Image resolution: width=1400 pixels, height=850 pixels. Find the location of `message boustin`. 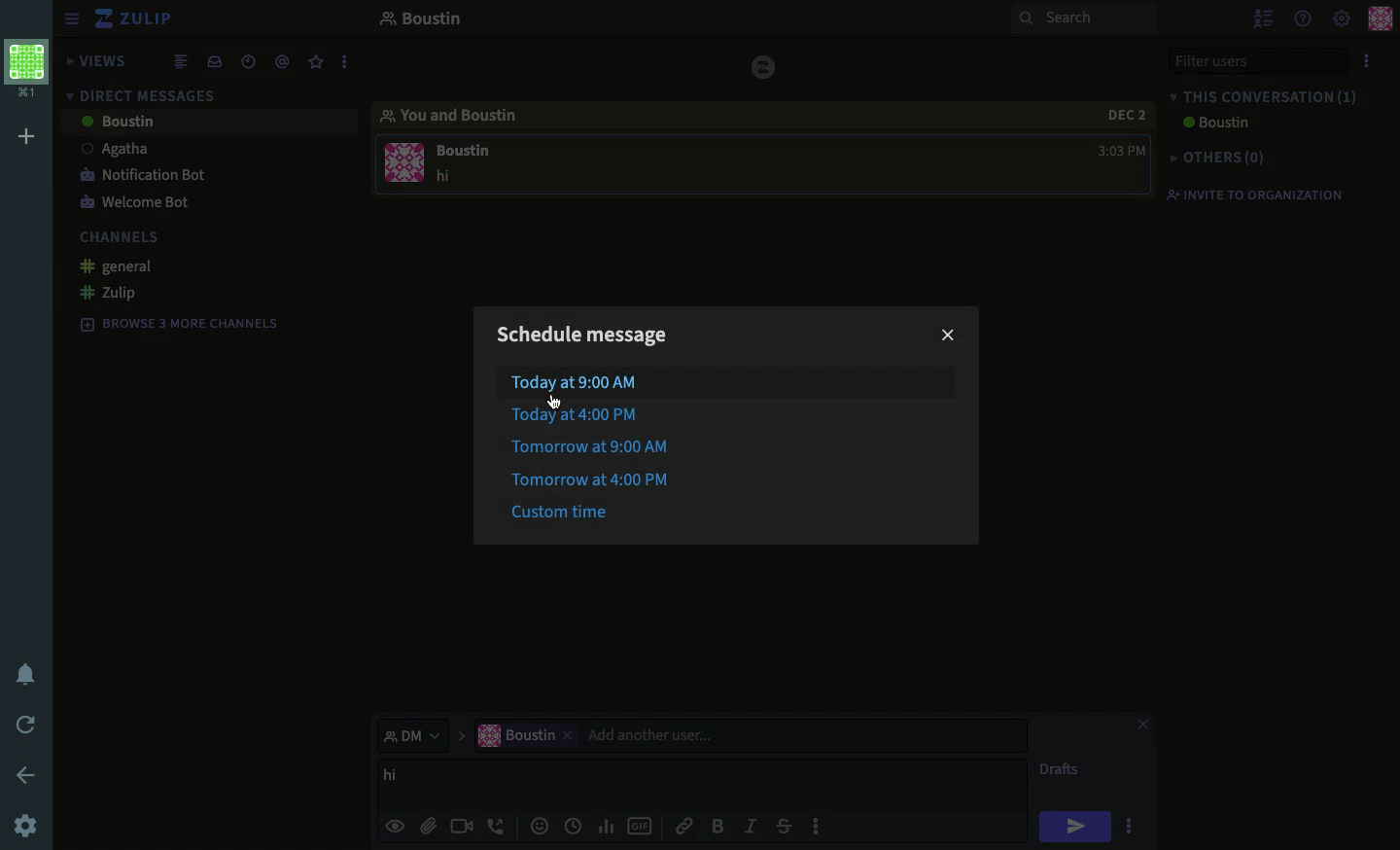

message boustin is located at coordinates (664, 779).